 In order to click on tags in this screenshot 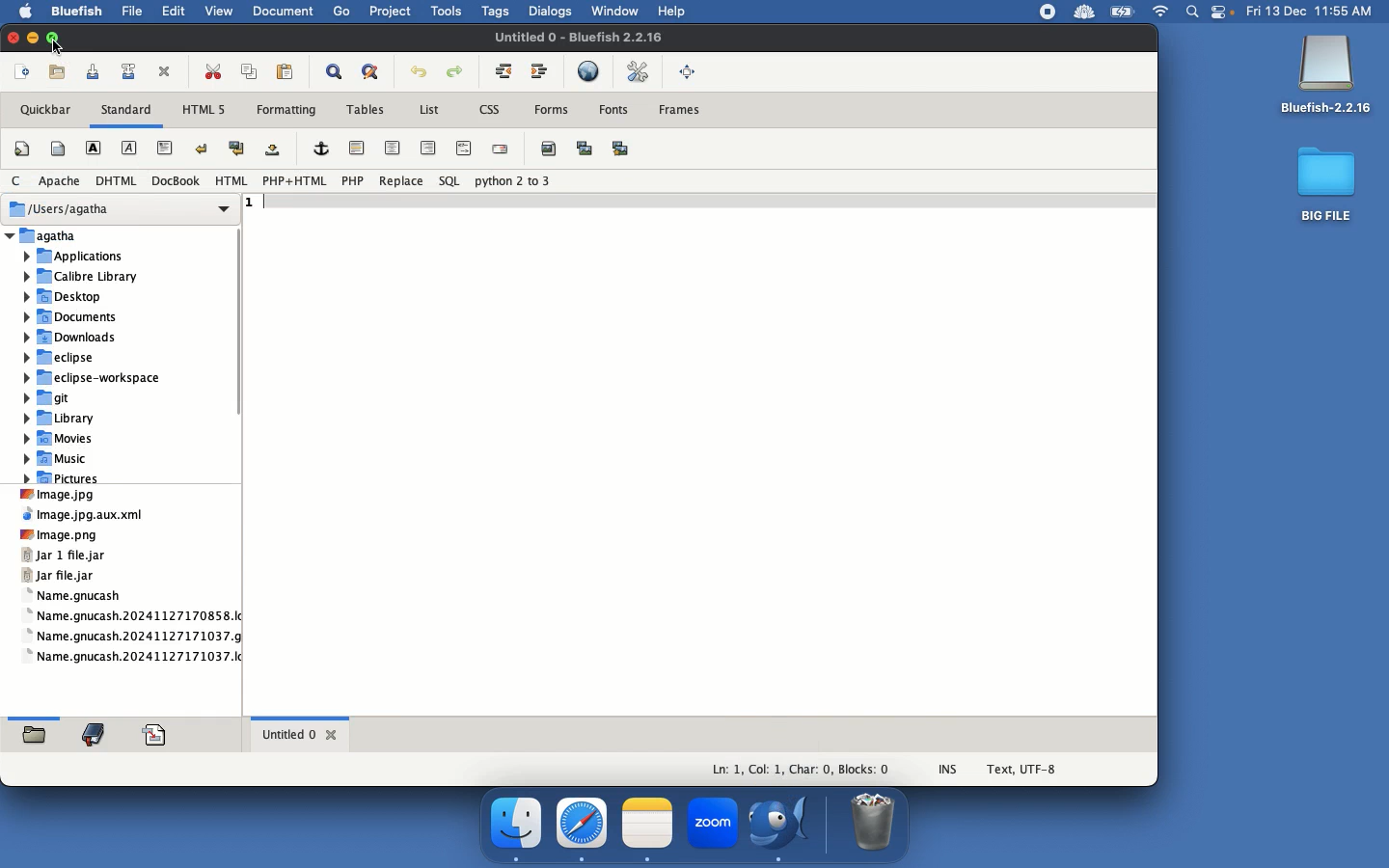, I will do `click(497, 14)`.